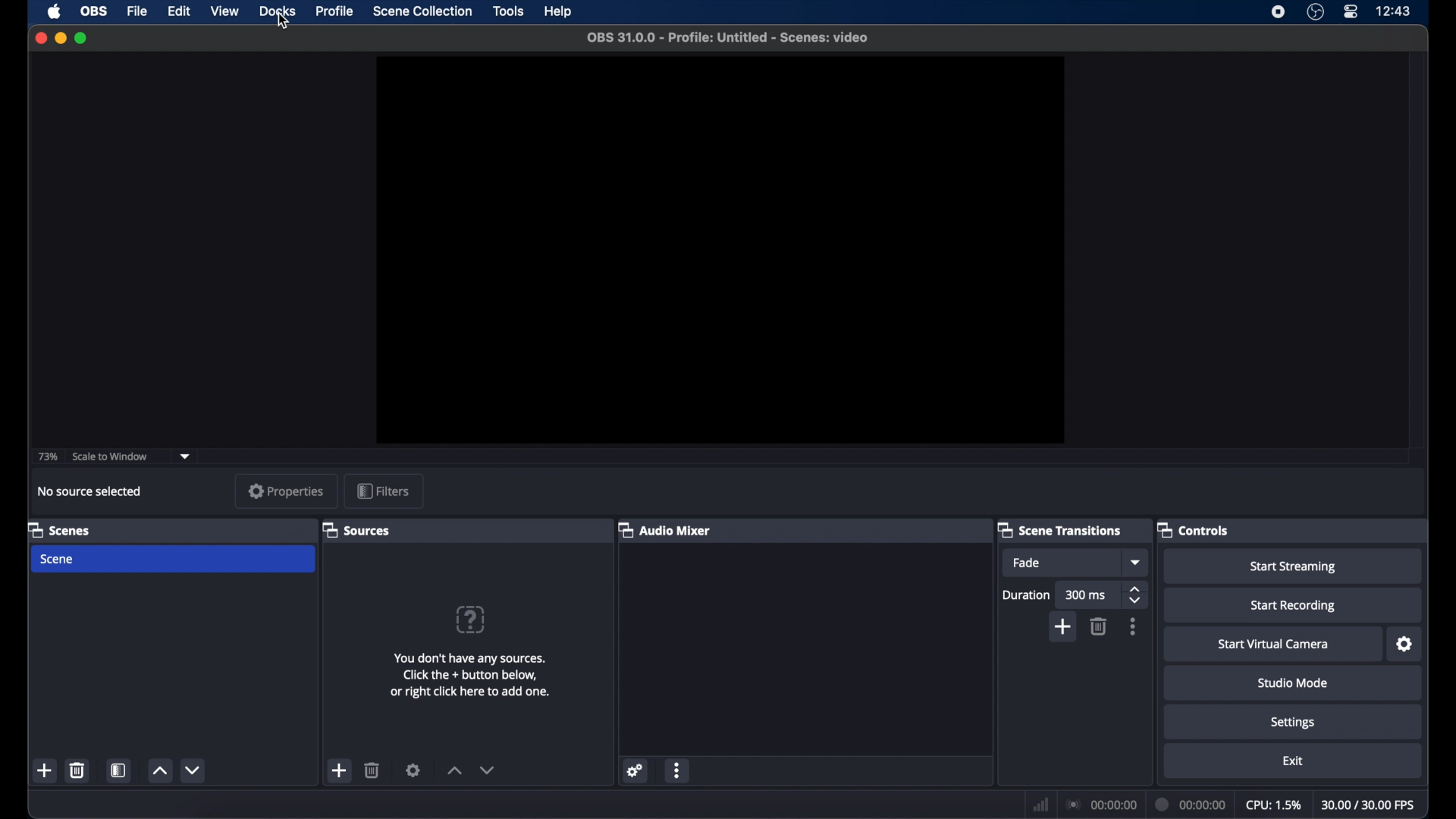 Image resolution: width=1456 pixels, height=819 pixels. What do you see at coordinates (1025, 595) in the screenshot?
I see `duration` at bounding box center [1025, 595].